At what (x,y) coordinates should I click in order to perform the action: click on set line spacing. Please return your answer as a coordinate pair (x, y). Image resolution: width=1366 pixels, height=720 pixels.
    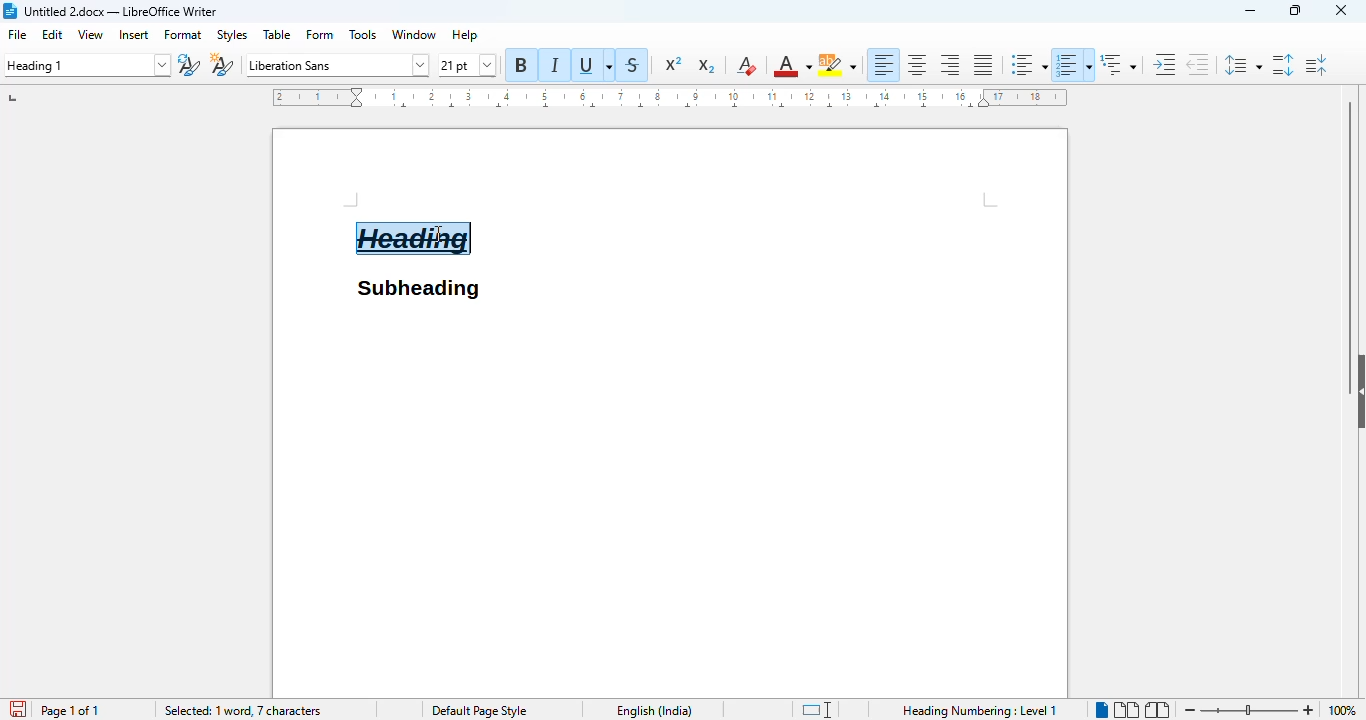
    Looking at the image, I should click on (1240, 65).